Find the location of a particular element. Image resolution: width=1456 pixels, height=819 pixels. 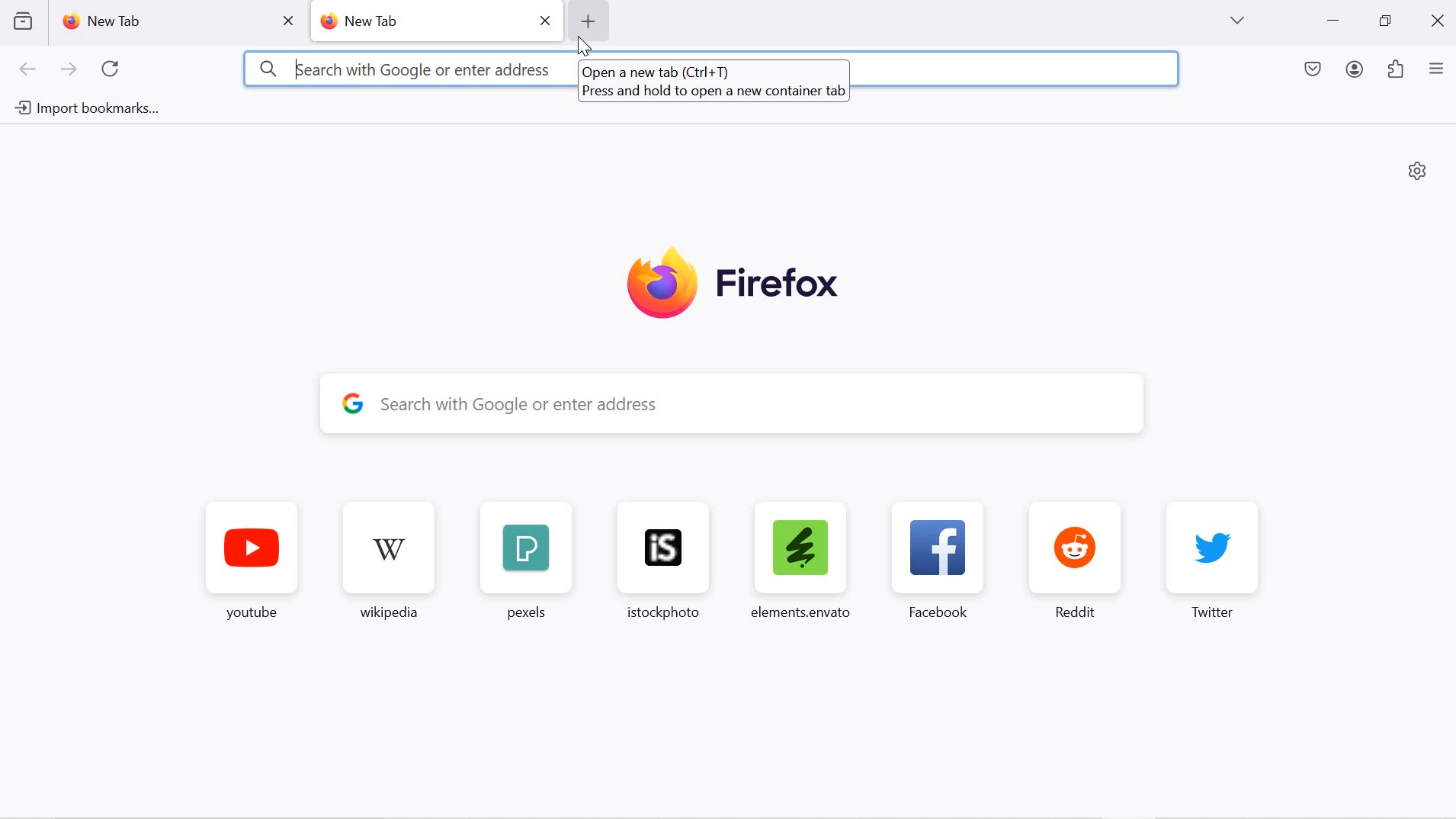

y Search with Google or enter address is located at coordinates (746, 404).